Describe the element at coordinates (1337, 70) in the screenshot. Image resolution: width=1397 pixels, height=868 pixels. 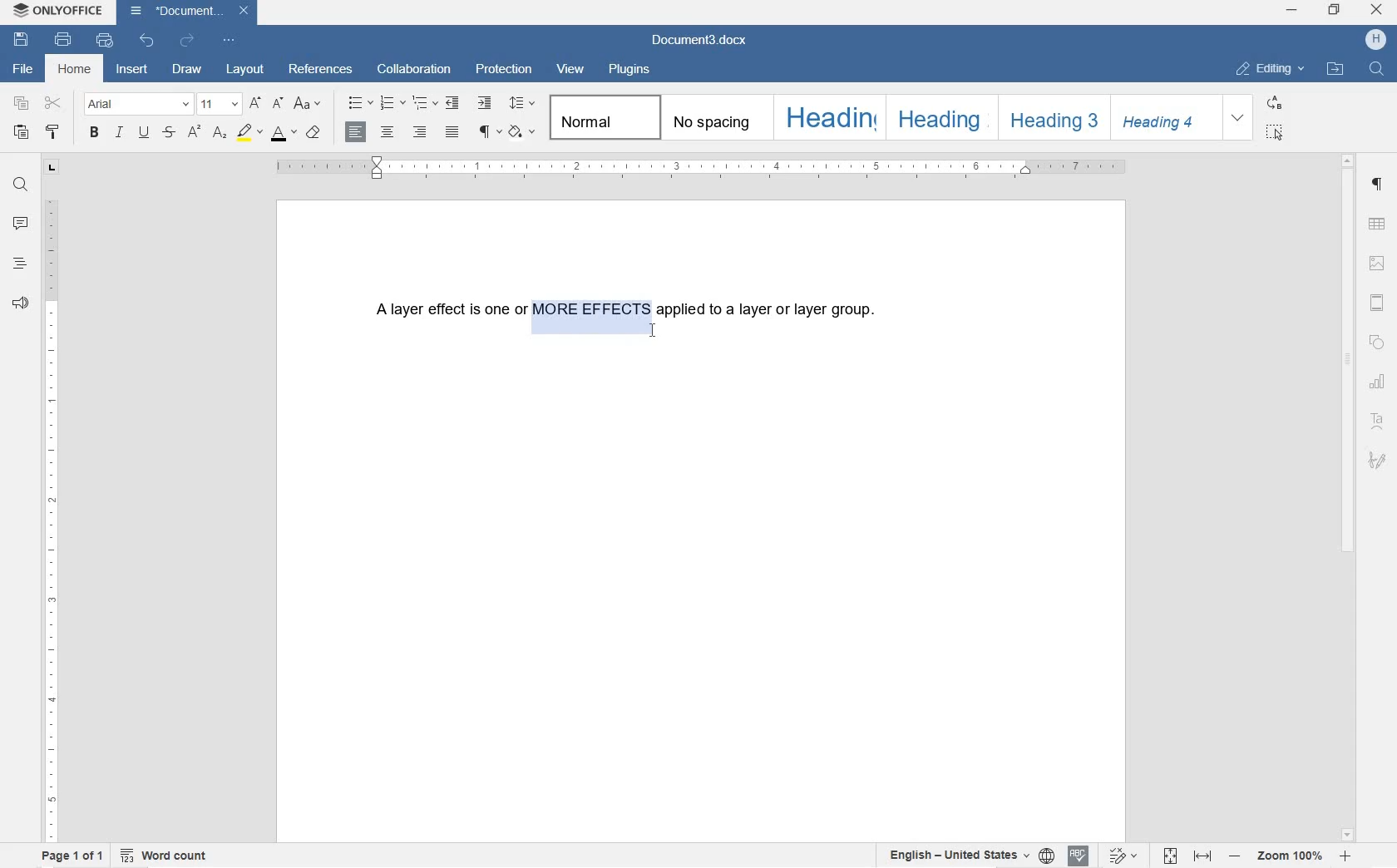
I see `OPEN FILE LOCATION` at that location.